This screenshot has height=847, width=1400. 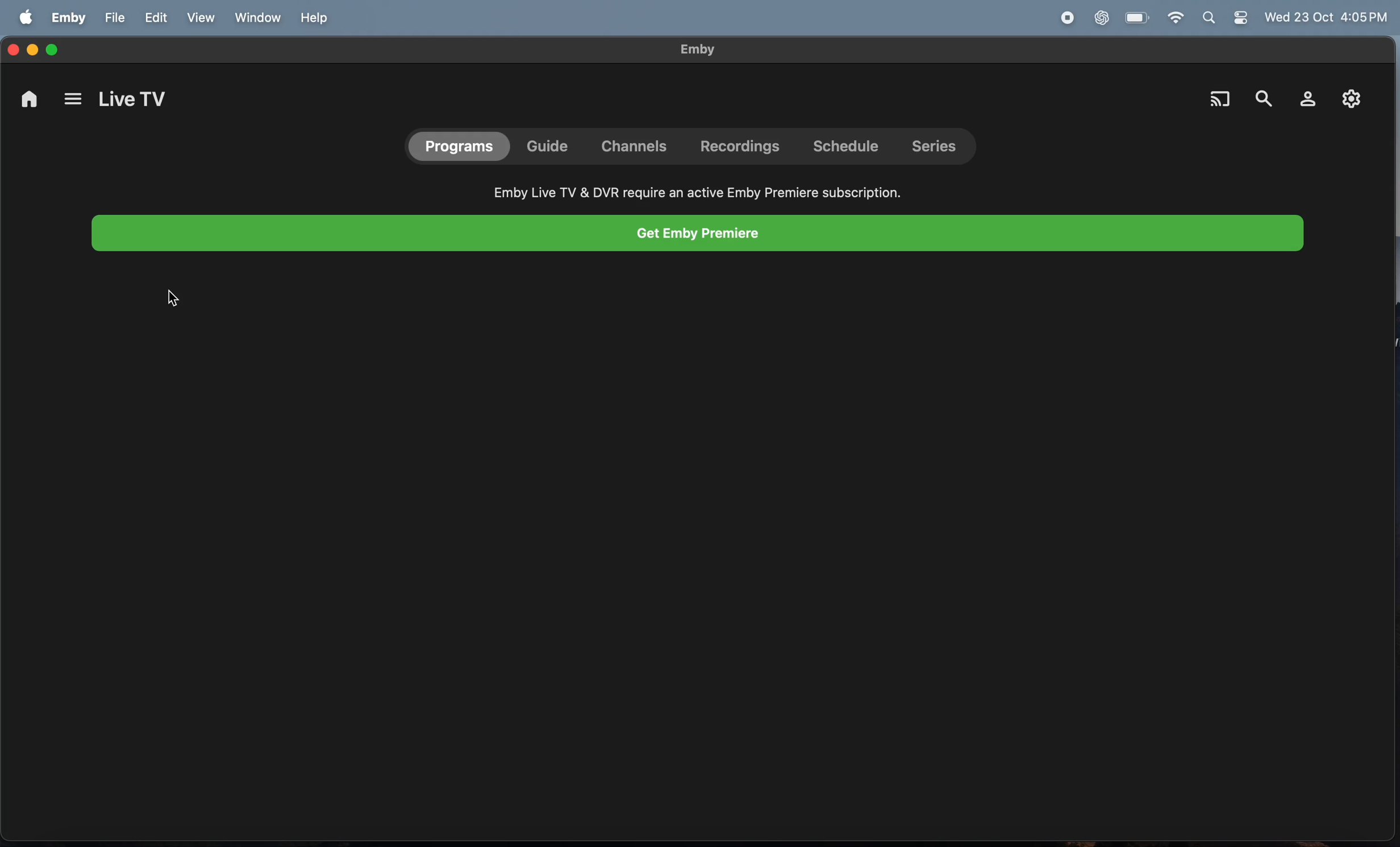 What do you see at coordinates (1174, 18) in the screenshot?
I see `wifi` at bounding box center [1174, 18].